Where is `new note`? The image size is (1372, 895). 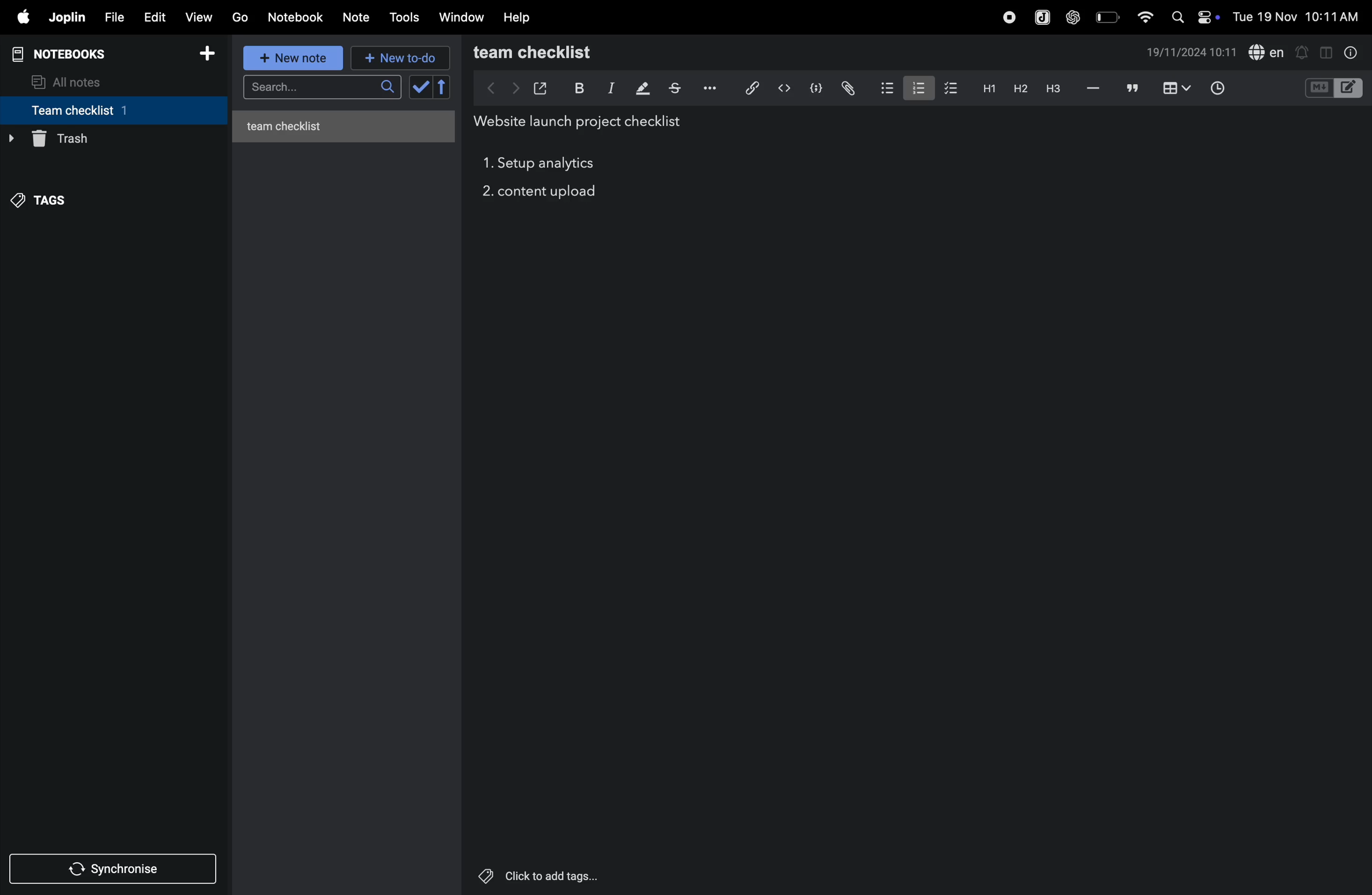 new note is located at coordinates (295, 59).